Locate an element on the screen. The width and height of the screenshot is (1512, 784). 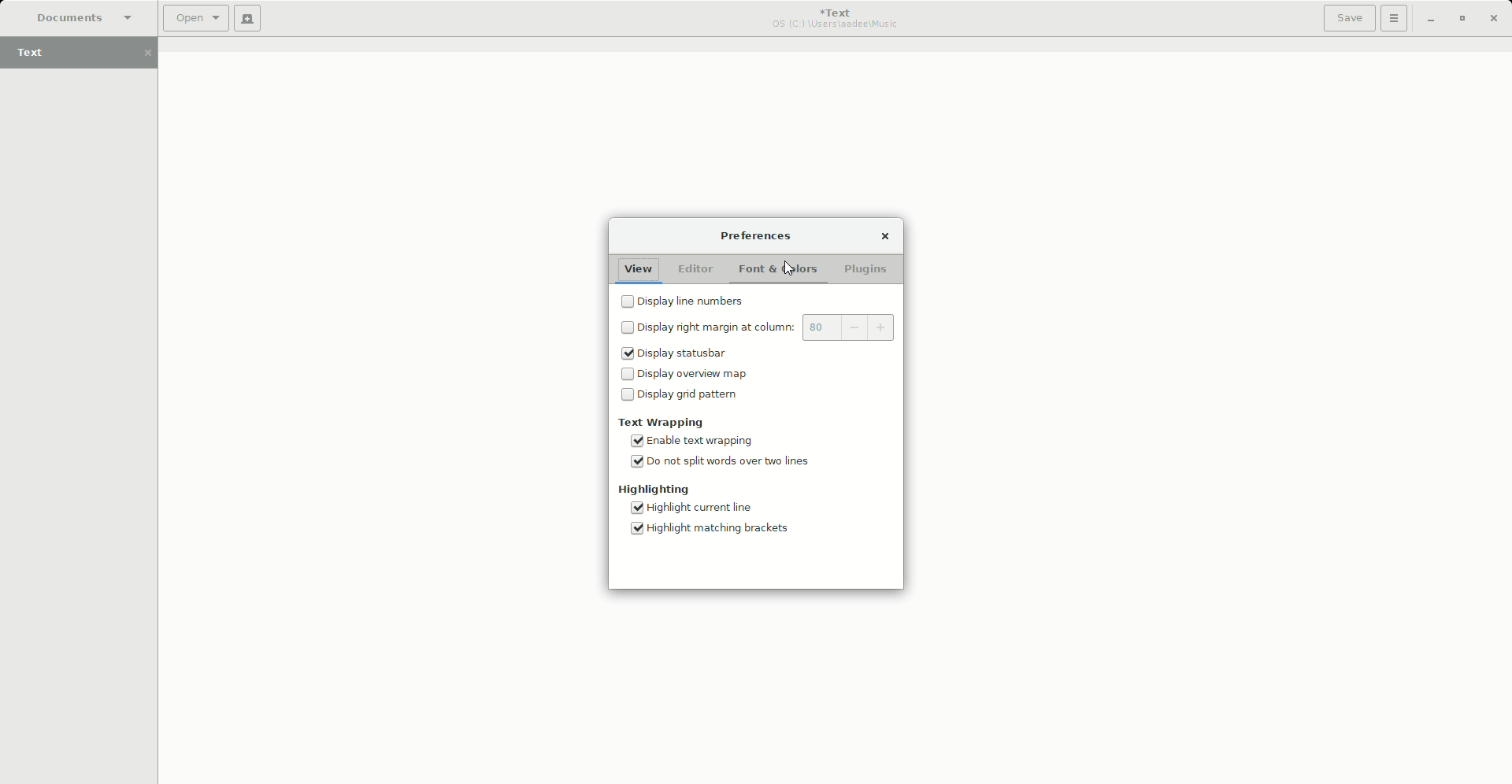
80 is located at coordinates (849, 324).